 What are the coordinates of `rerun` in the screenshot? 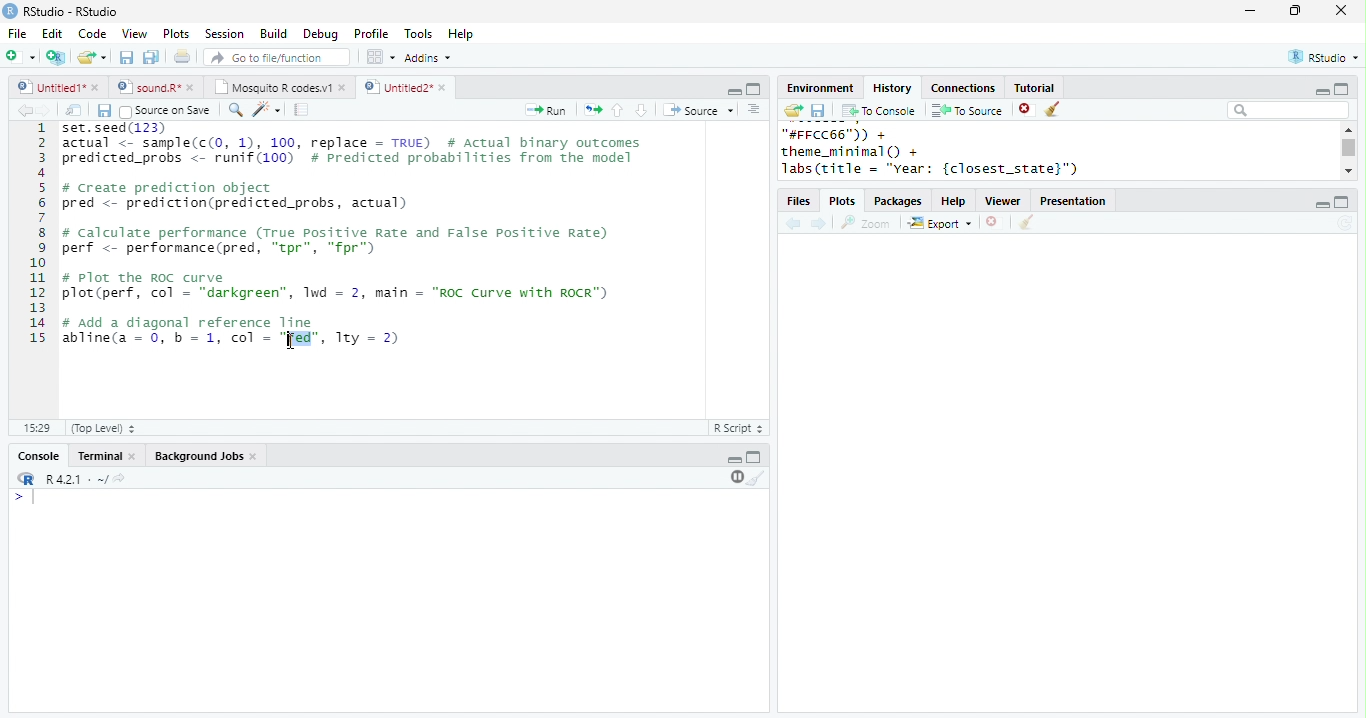 It's located at (593, 110).